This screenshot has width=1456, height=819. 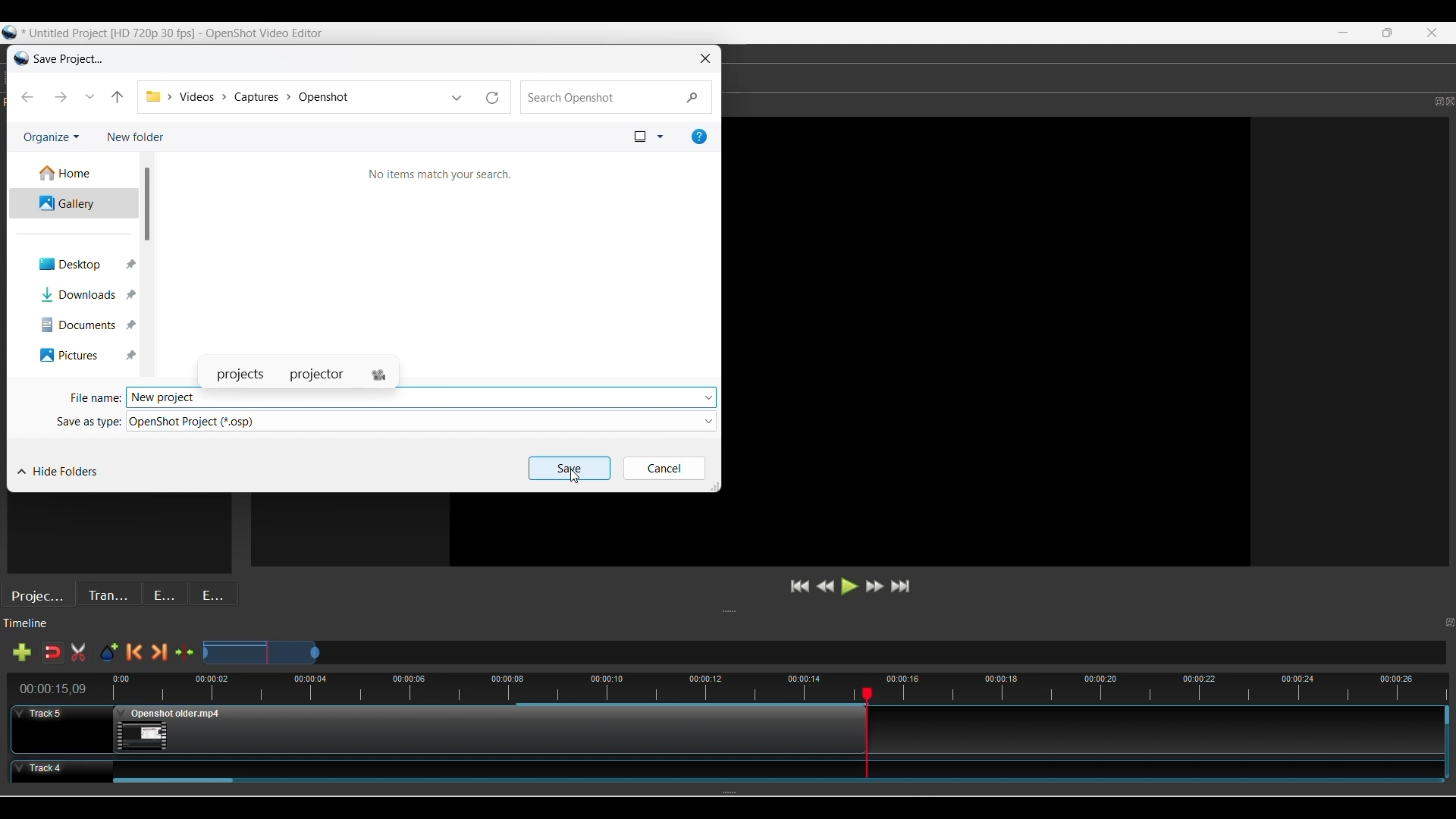 What do you see at coordinates (664, 469) in the screenshot?
I see `Cancel inputs made` at bounding box center [664, 469].